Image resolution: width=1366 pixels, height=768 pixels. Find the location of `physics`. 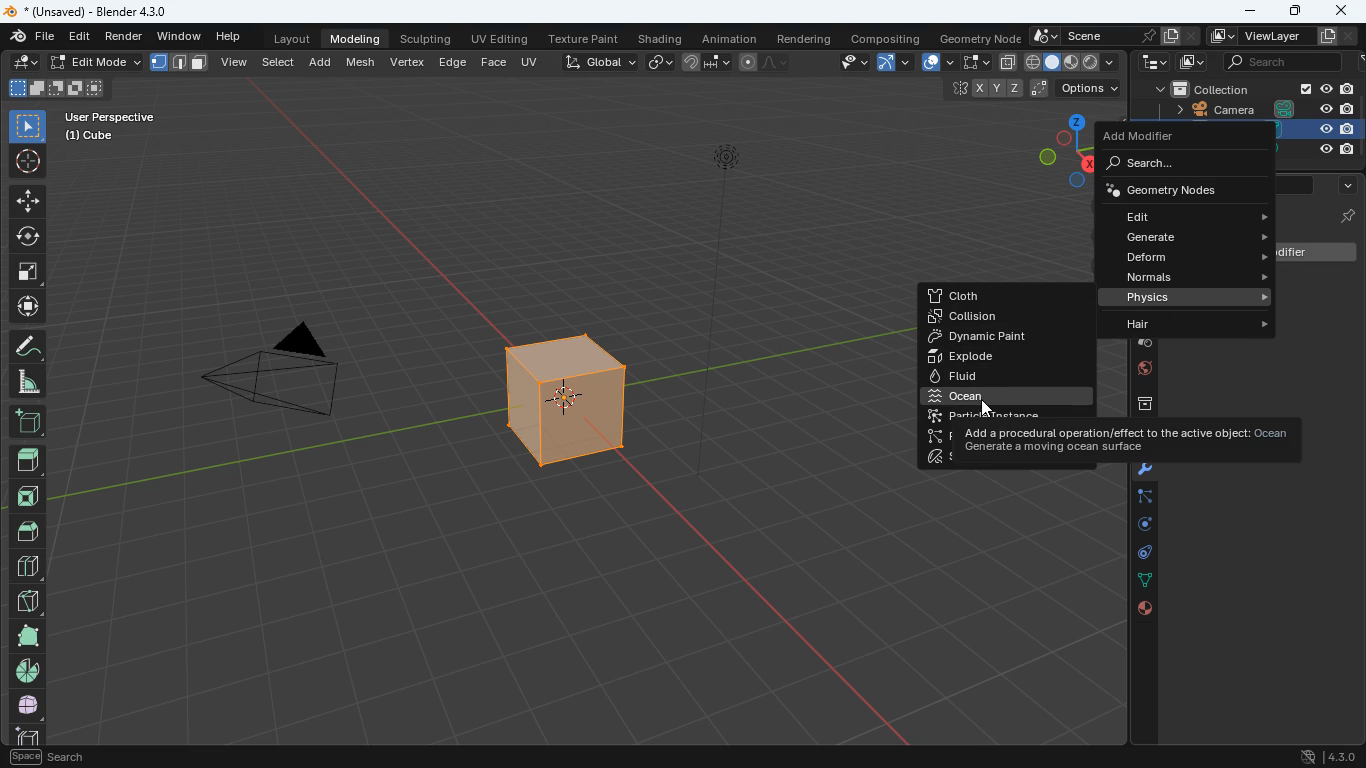

physics is located at coordinates (1198, 298).